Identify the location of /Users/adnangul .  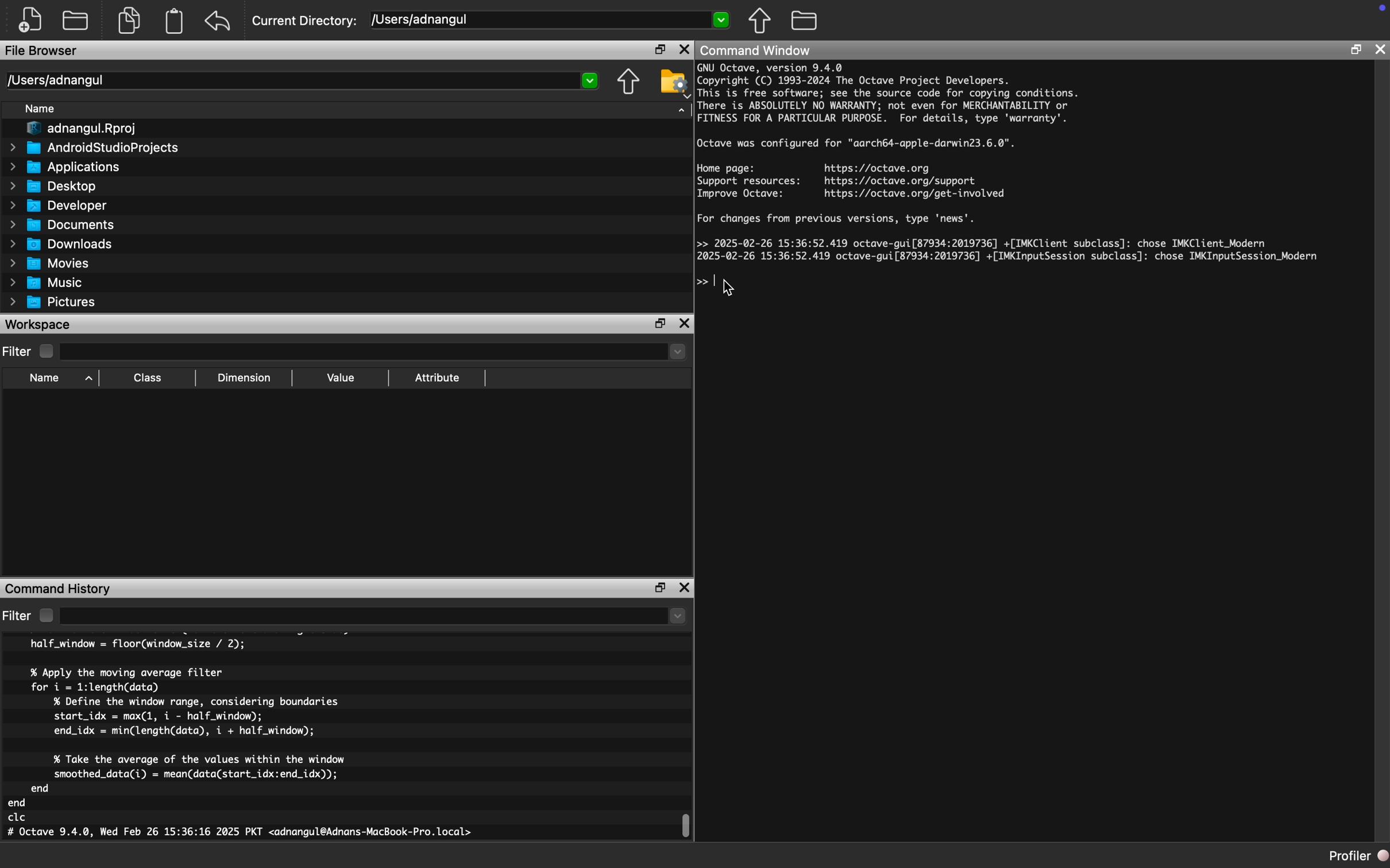
(548, 21).